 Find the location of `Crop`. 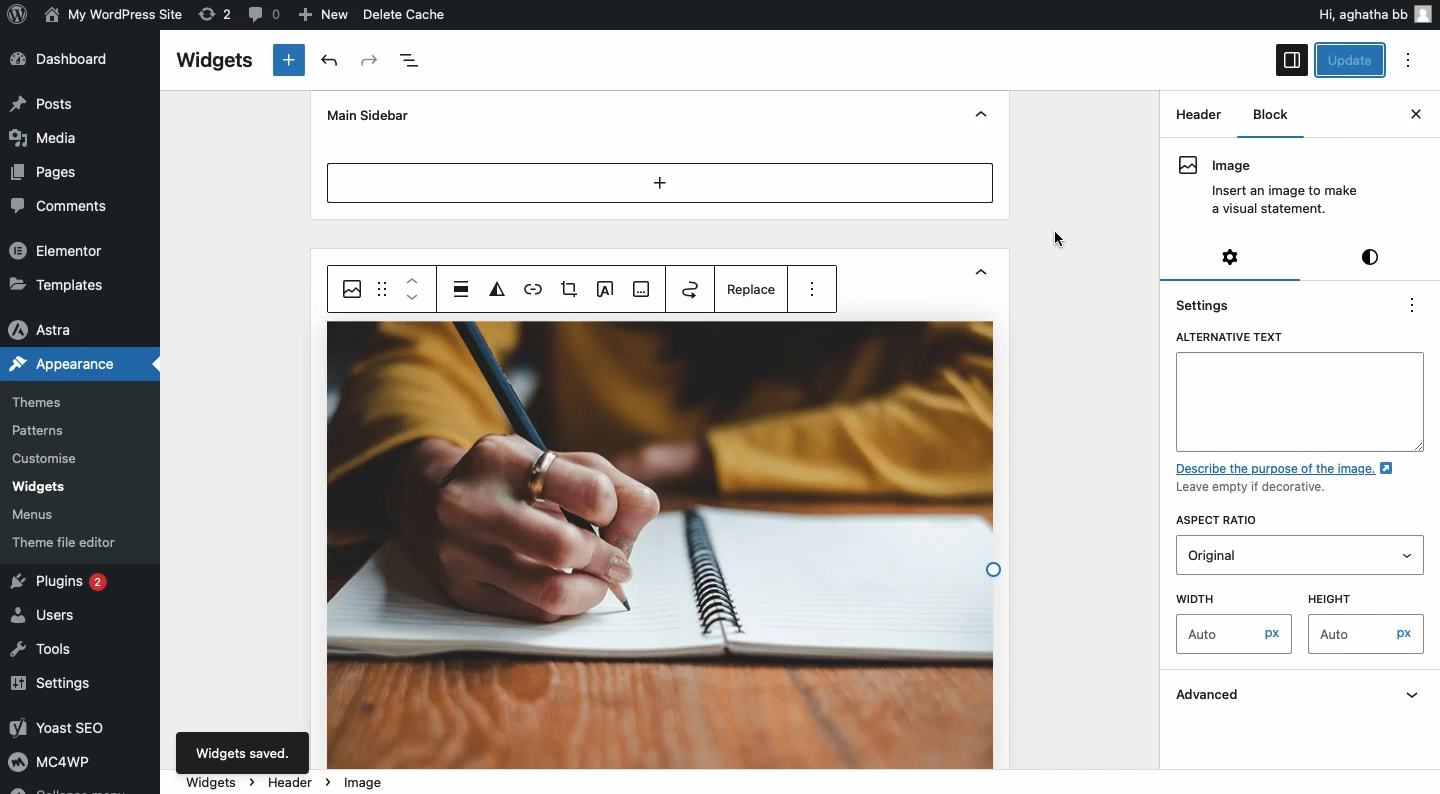

Crop is located at coordinates (568, 290).